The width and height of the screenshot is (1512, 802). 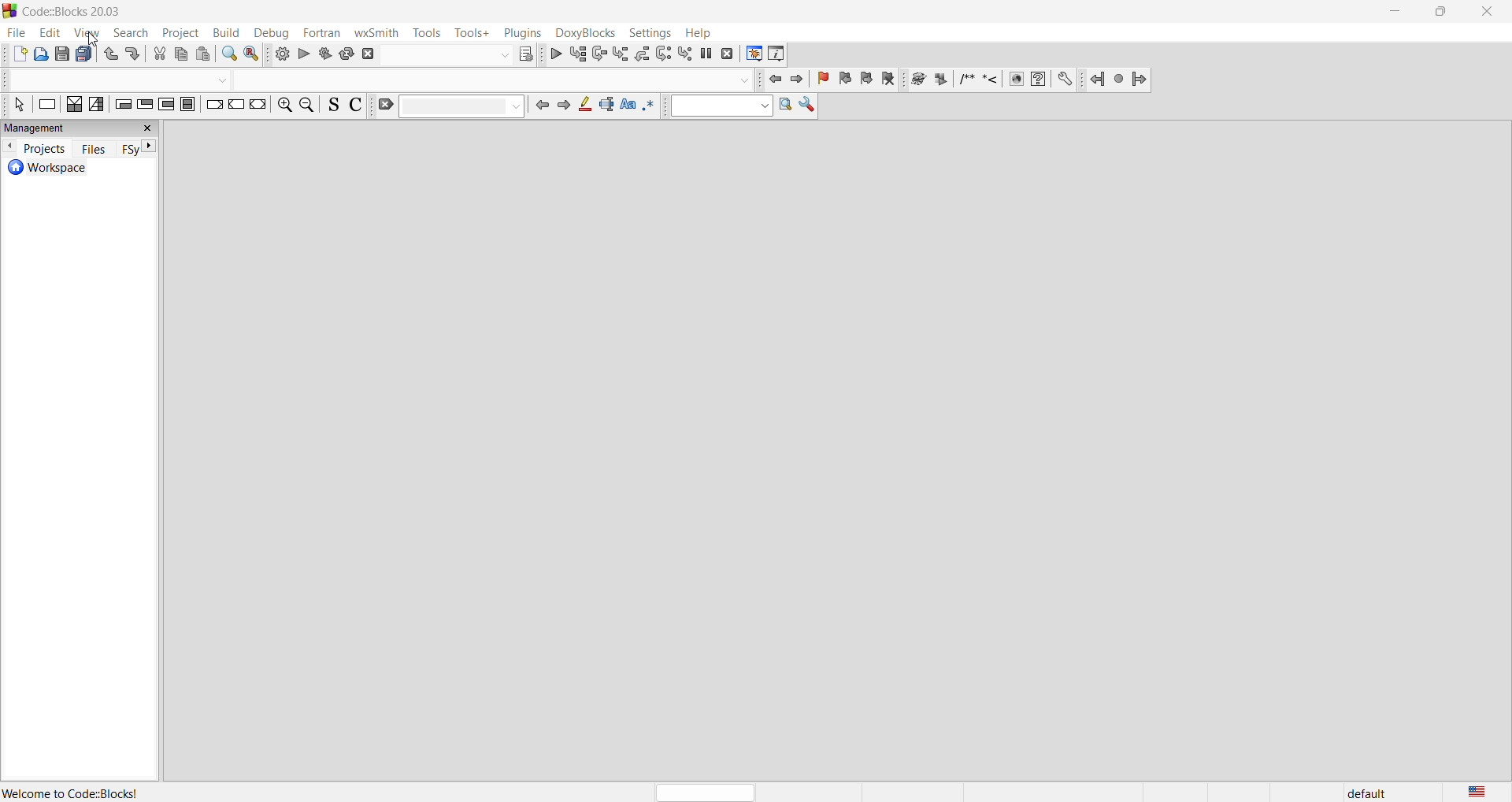 What do you see at coordinates (752, 54) in the screenshot?
I see `debugging window ` at bounding box center [752, 54].